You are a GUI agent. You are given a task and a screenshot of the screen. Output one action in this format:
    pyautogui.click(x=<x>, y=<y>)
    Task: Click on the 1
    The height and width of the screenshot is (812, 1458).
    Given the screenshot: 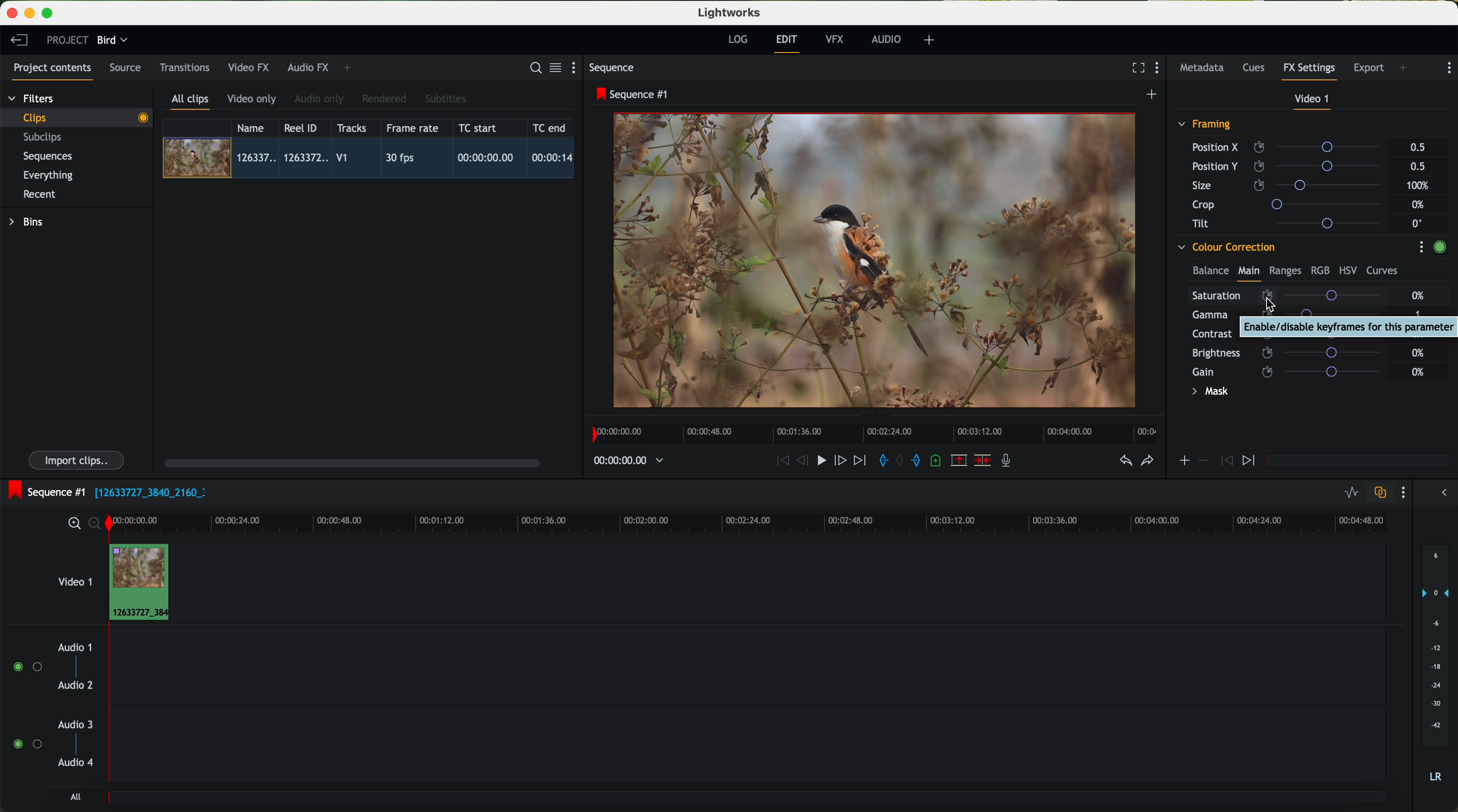 What is the action you would take?
    pyautogui.click(x=1418, y=316)
    